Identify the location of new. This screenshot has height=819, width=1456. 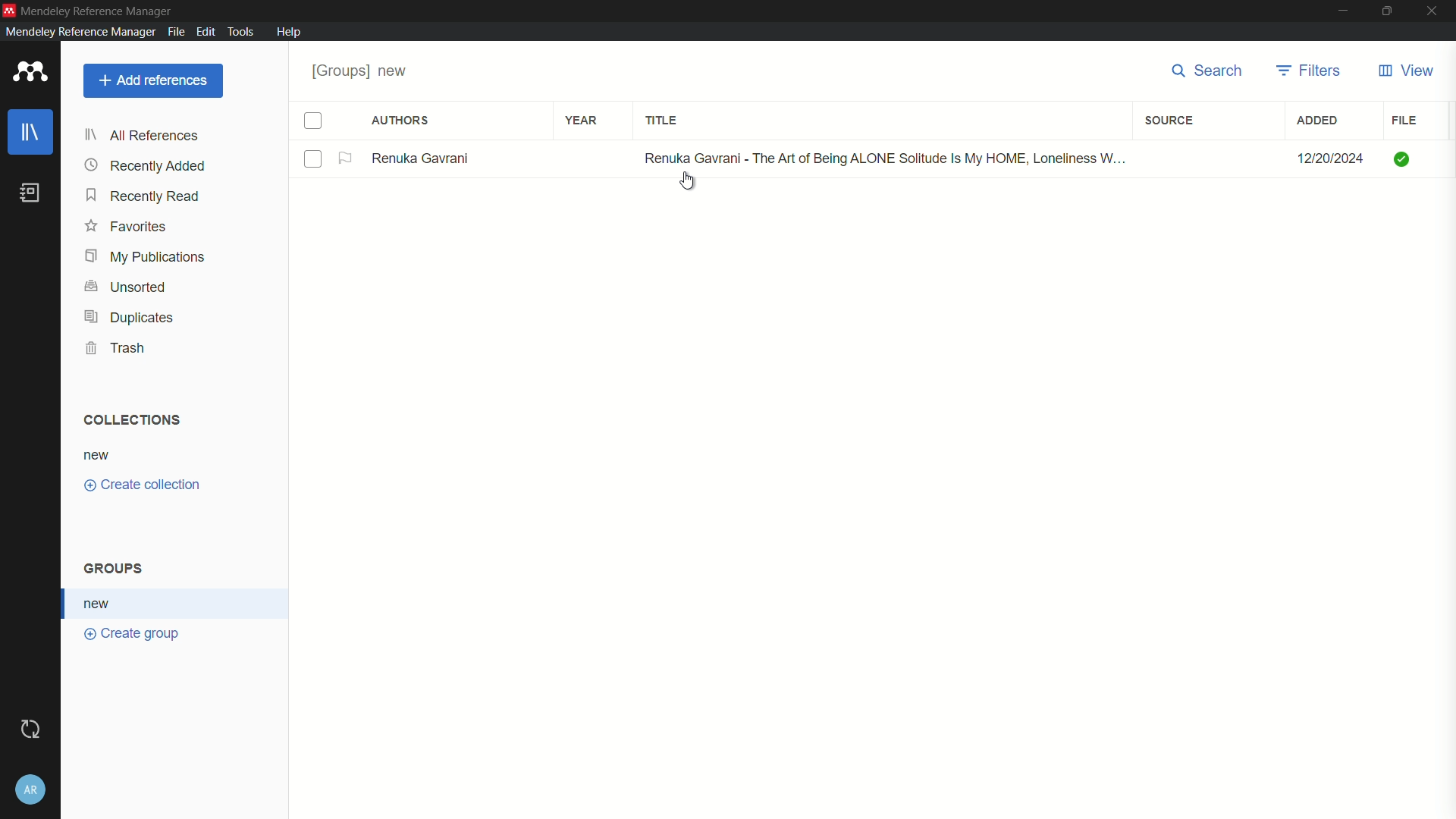
(99, 454).